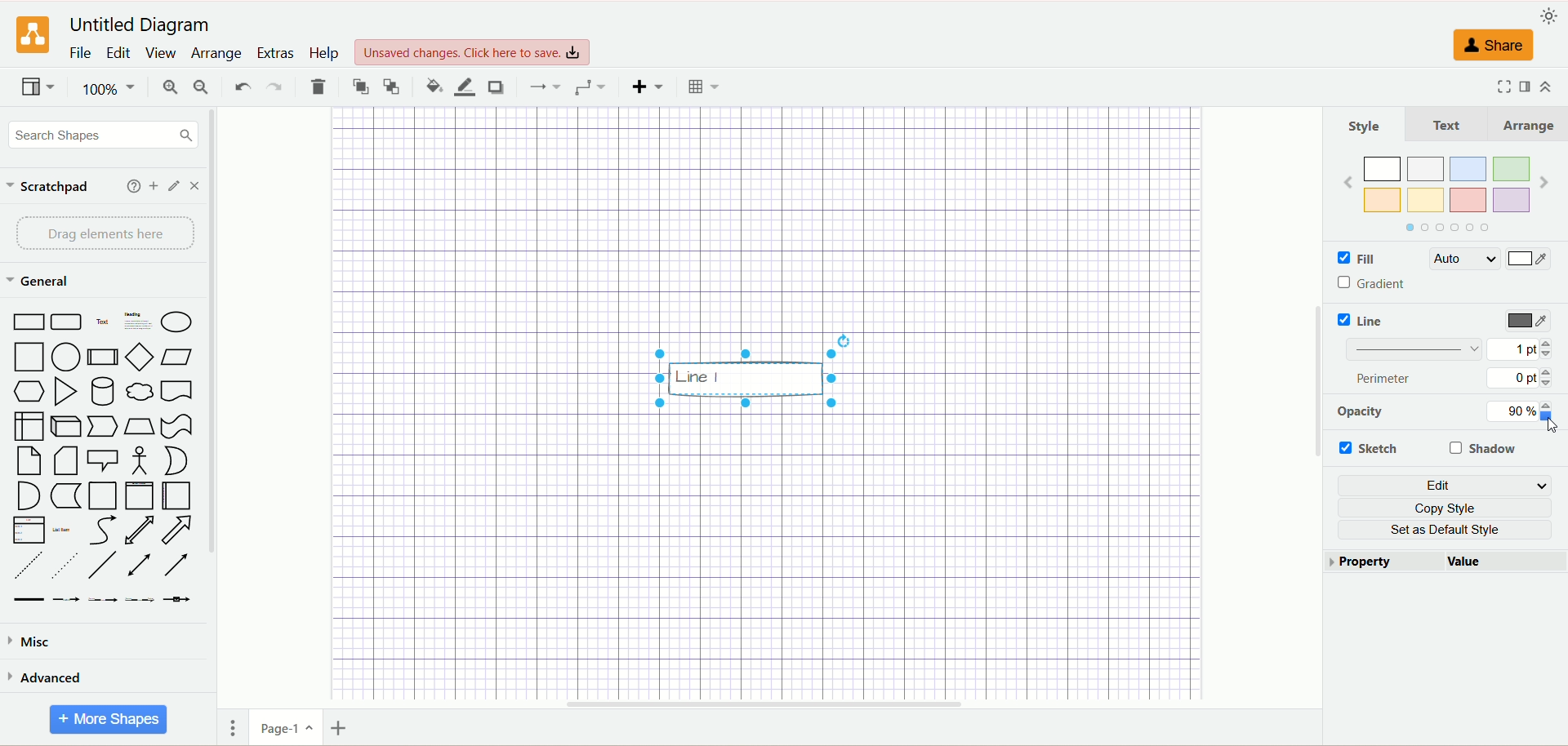  I want to click on Bidirectional Connector, so click(140, 565).